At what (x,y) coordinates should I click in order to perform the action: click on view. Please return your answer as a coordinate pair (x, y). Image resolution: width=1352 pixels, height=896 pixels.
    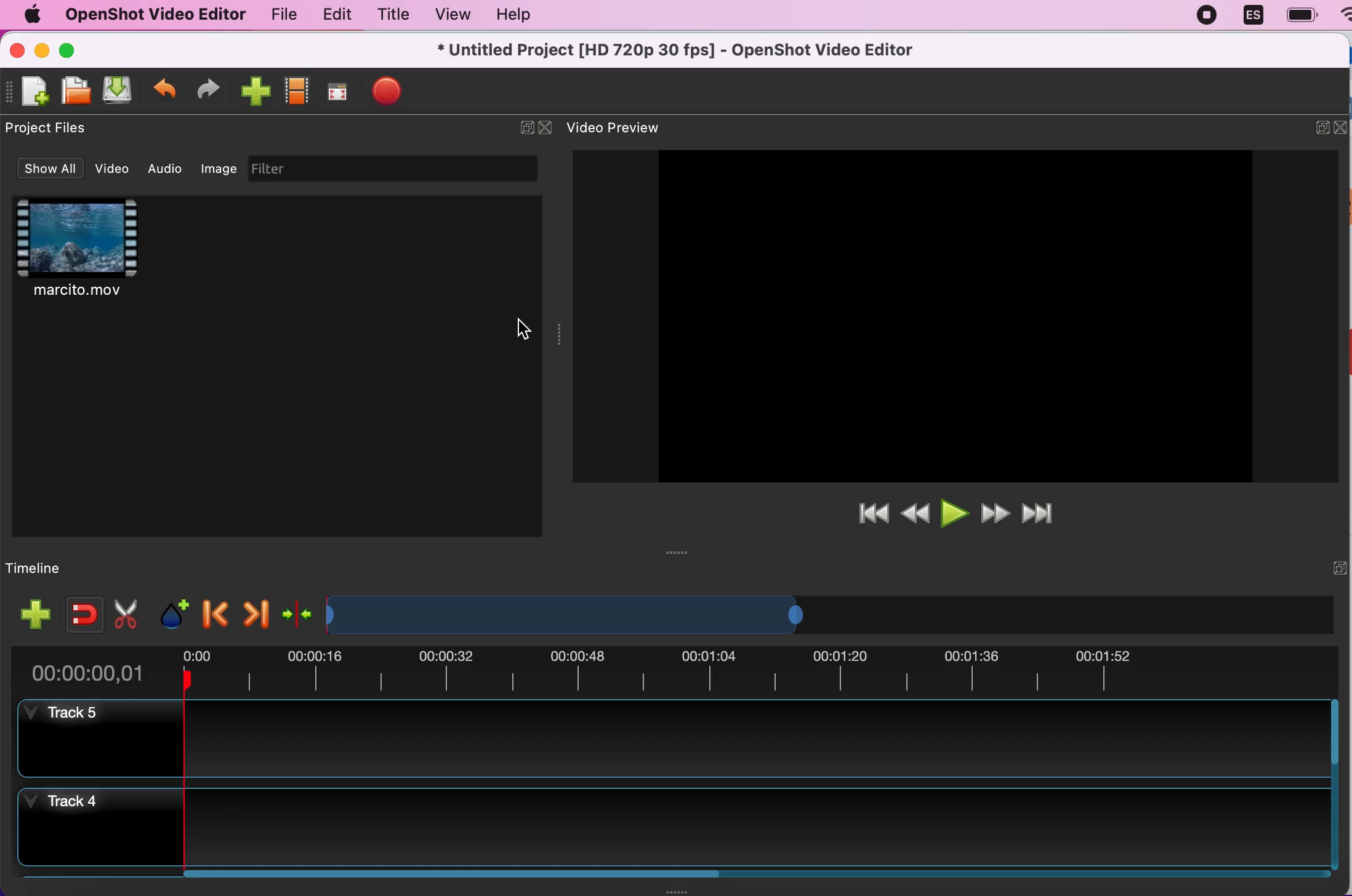
    Looking at the image, I should click on (449, 14).